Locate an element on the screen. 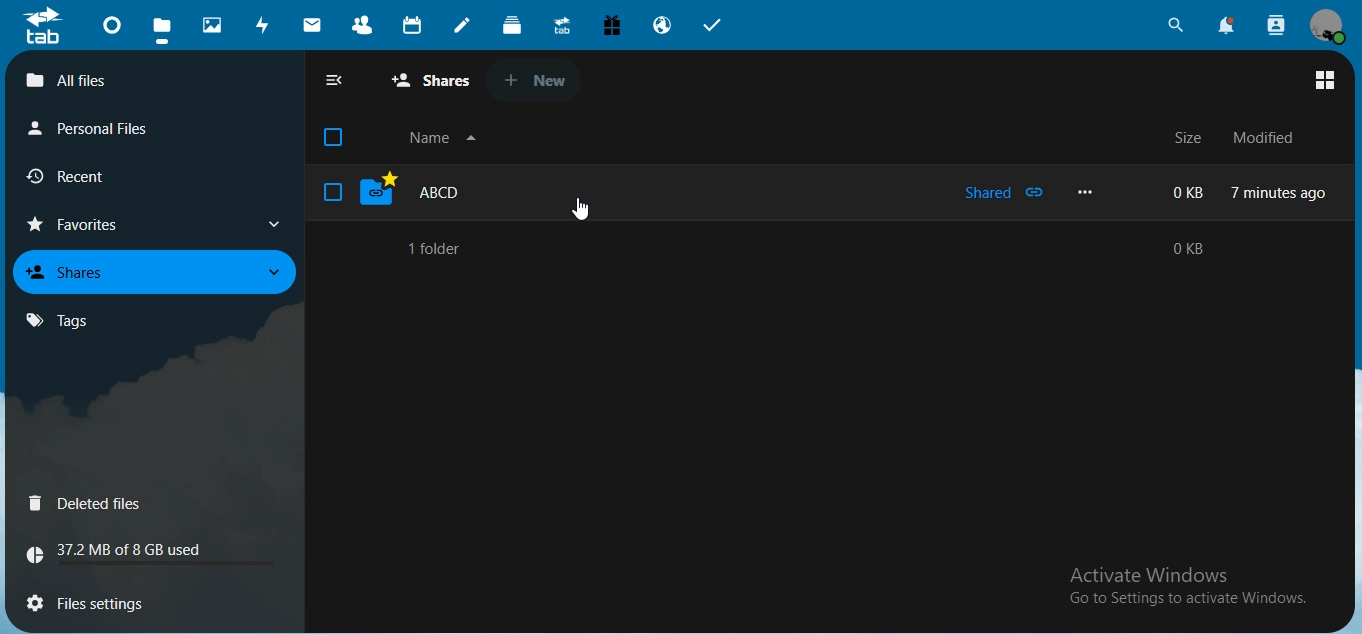  cursor is located at coordinates (584, 212).